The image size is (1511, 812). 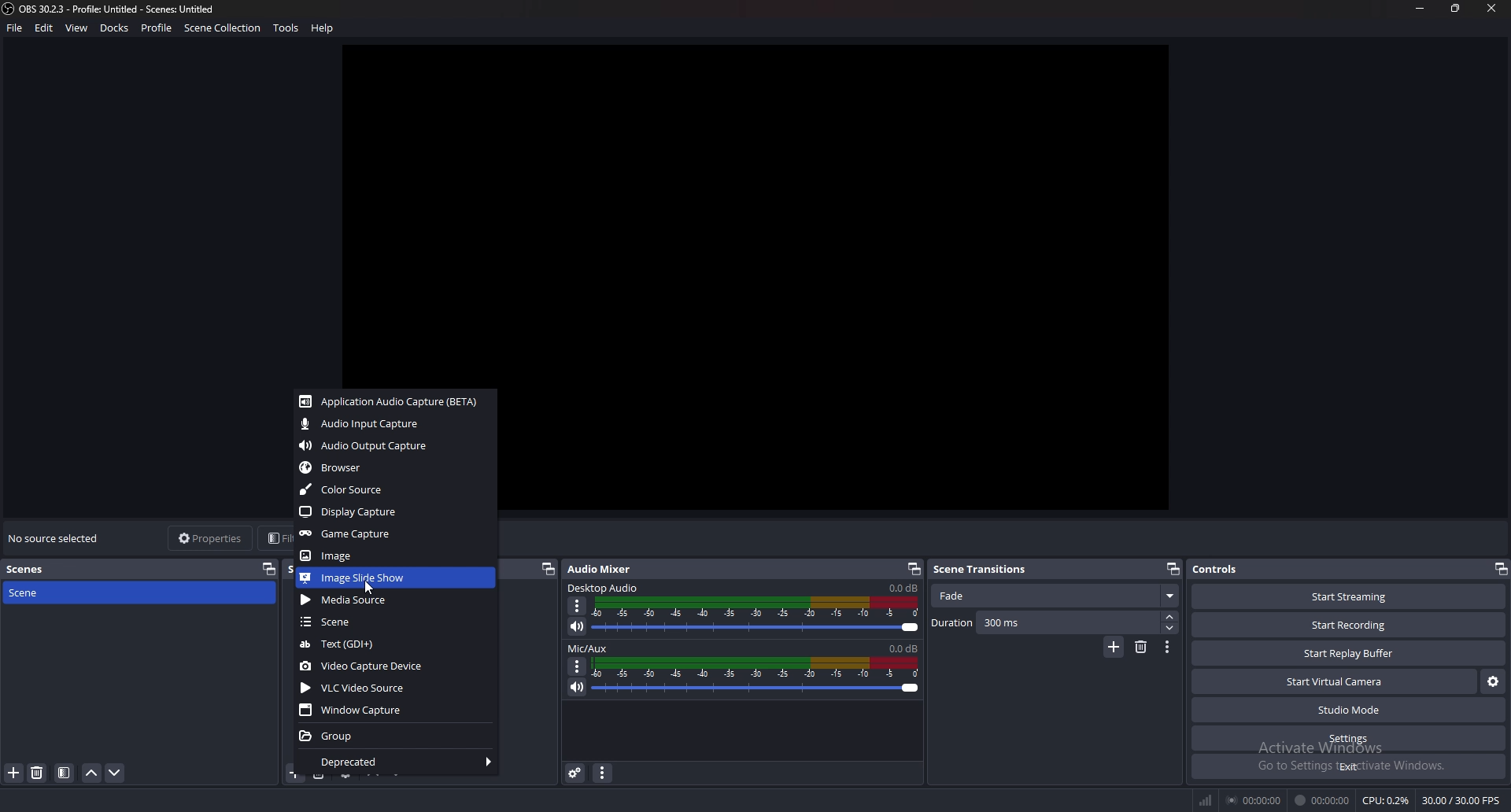 What do you see at coordinates (391, 556) in the screenshot?
I see `image` at bounding box center [391, 556].